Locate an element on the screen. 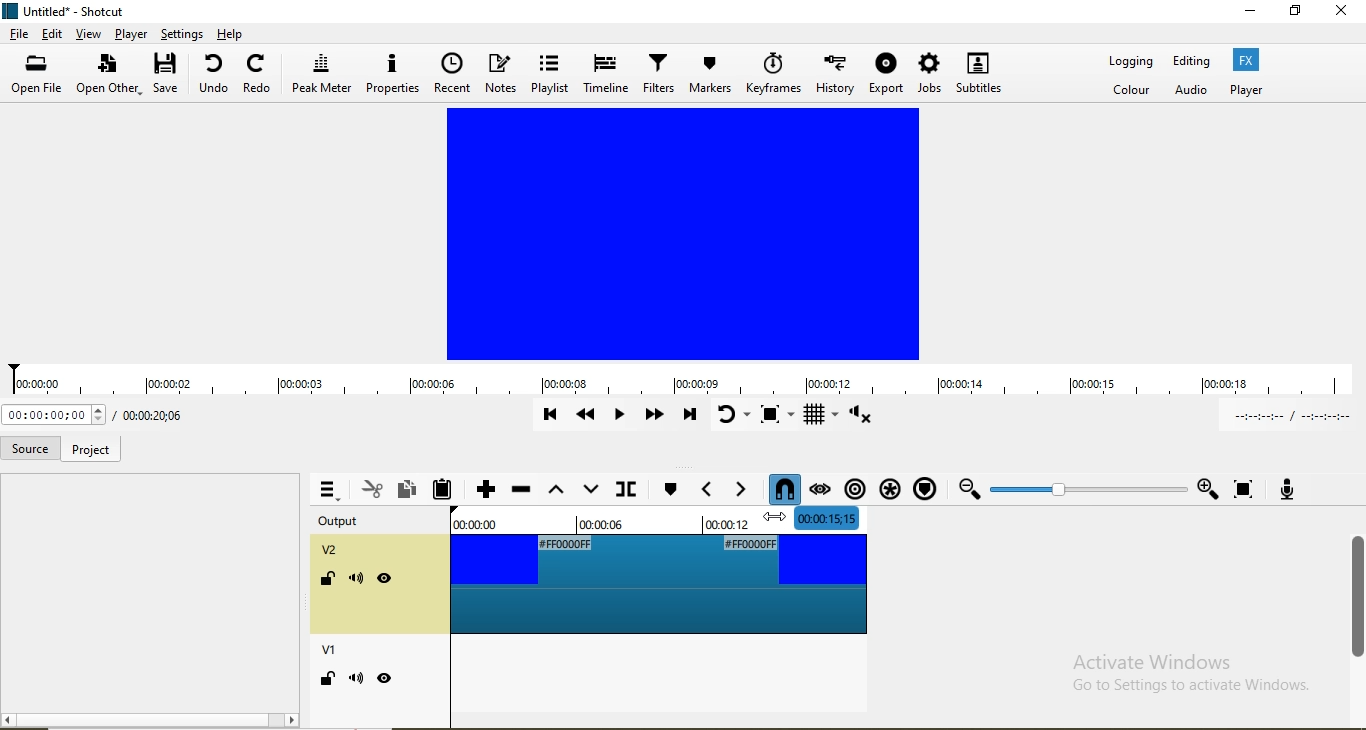 The height and width of the screenshot is (730, 1366). mute is located at coordinates (358, 582).